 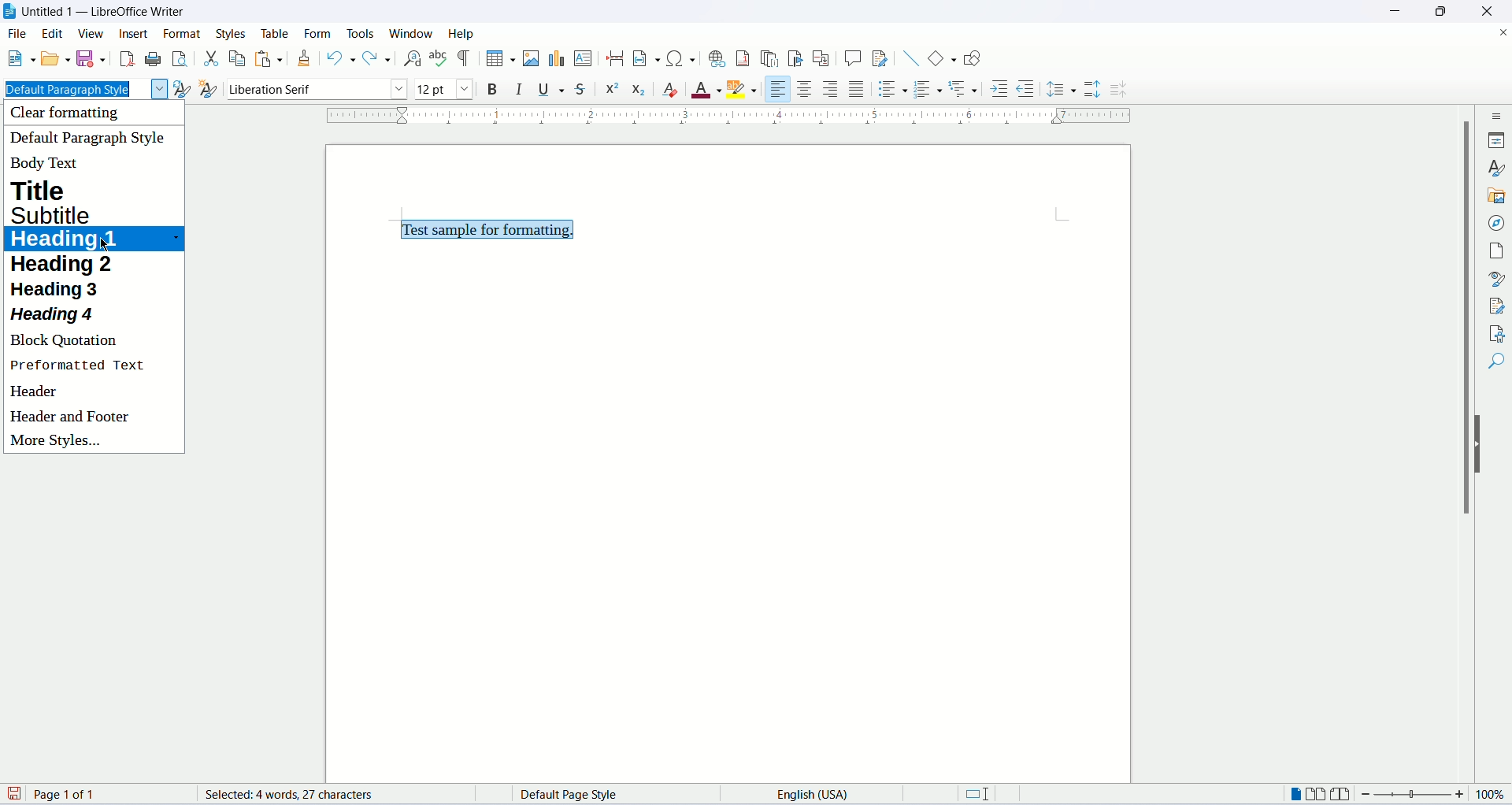 I want to click on print, so click(x=153, y=57).